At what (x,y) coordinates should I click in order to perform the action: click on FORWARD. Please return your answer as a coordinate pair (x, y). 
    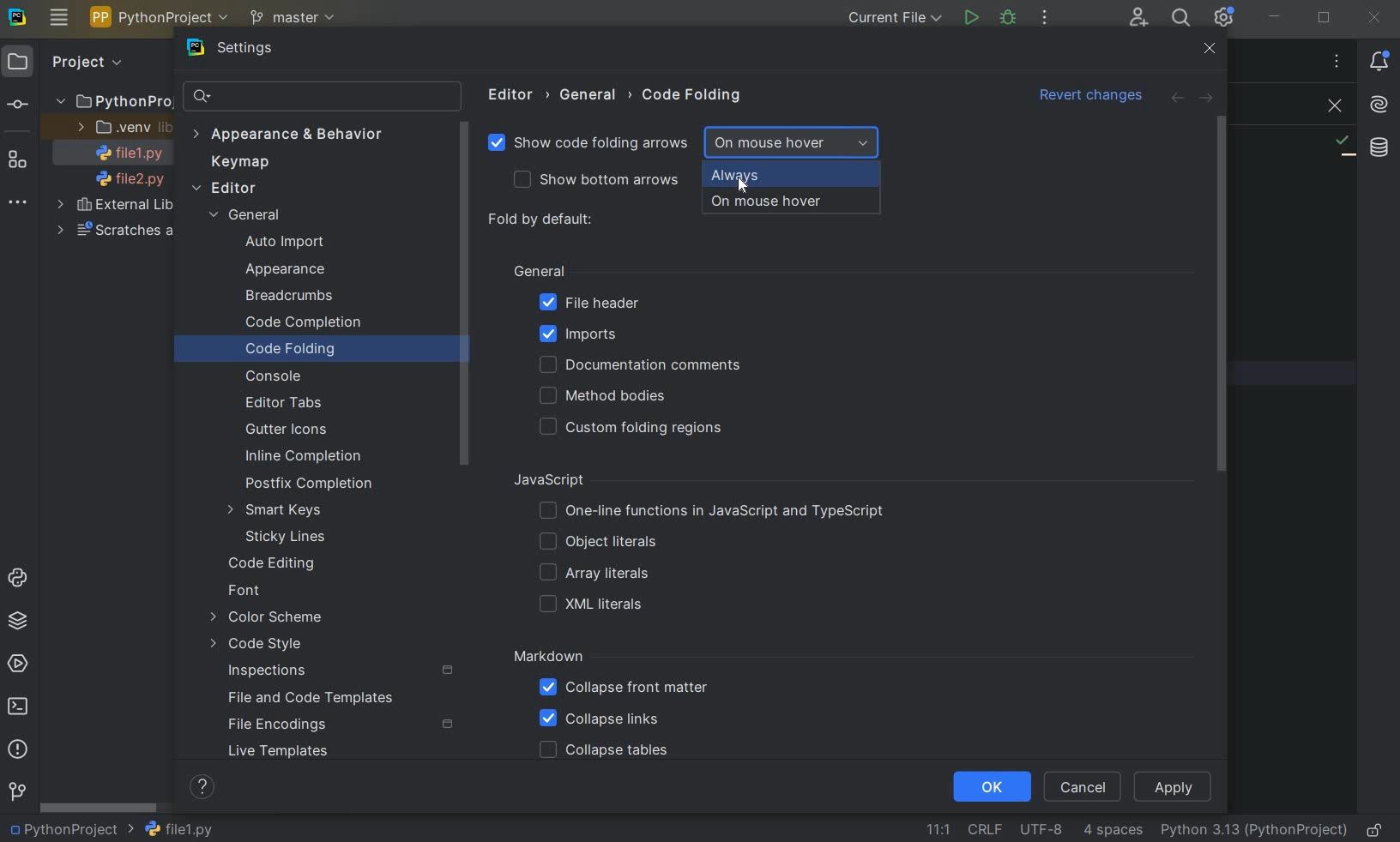
    Looking at the image, I should click on (1208, 99).